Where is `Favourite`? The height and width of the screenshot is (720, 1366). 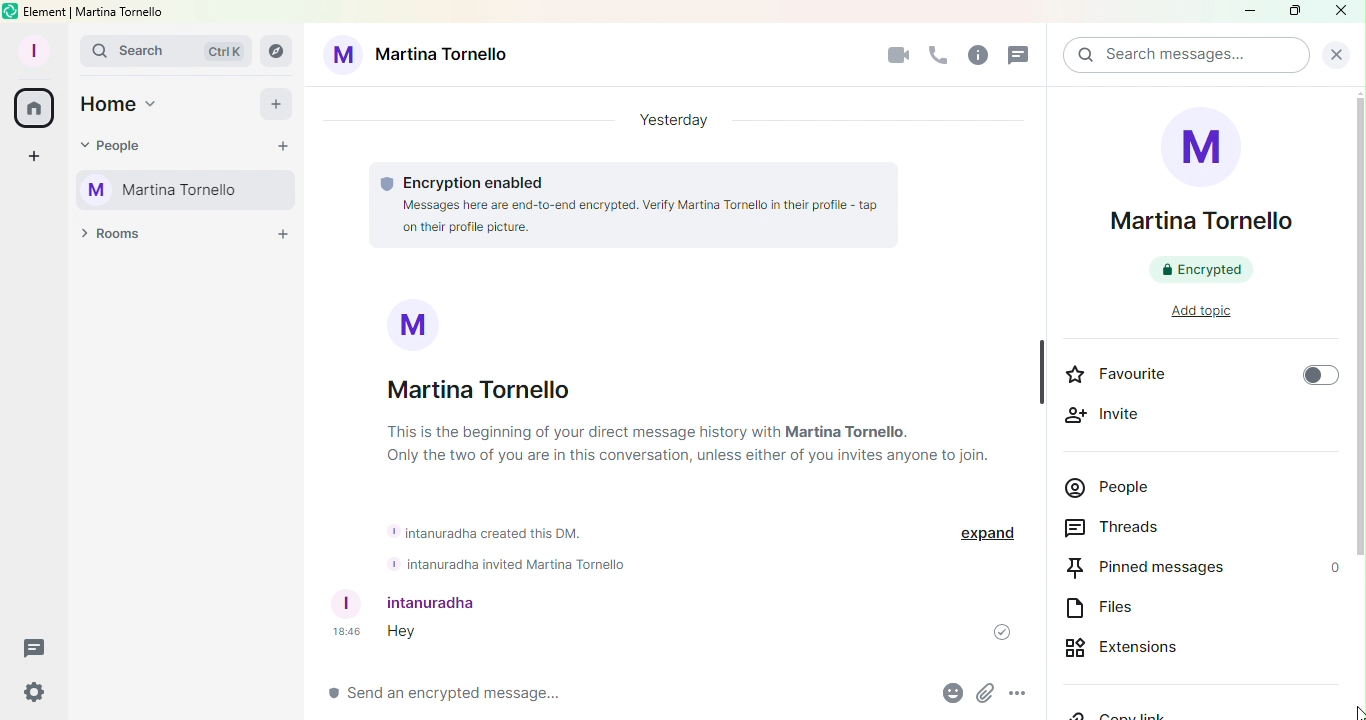
Favourite is located at coordinates (1200, 374).